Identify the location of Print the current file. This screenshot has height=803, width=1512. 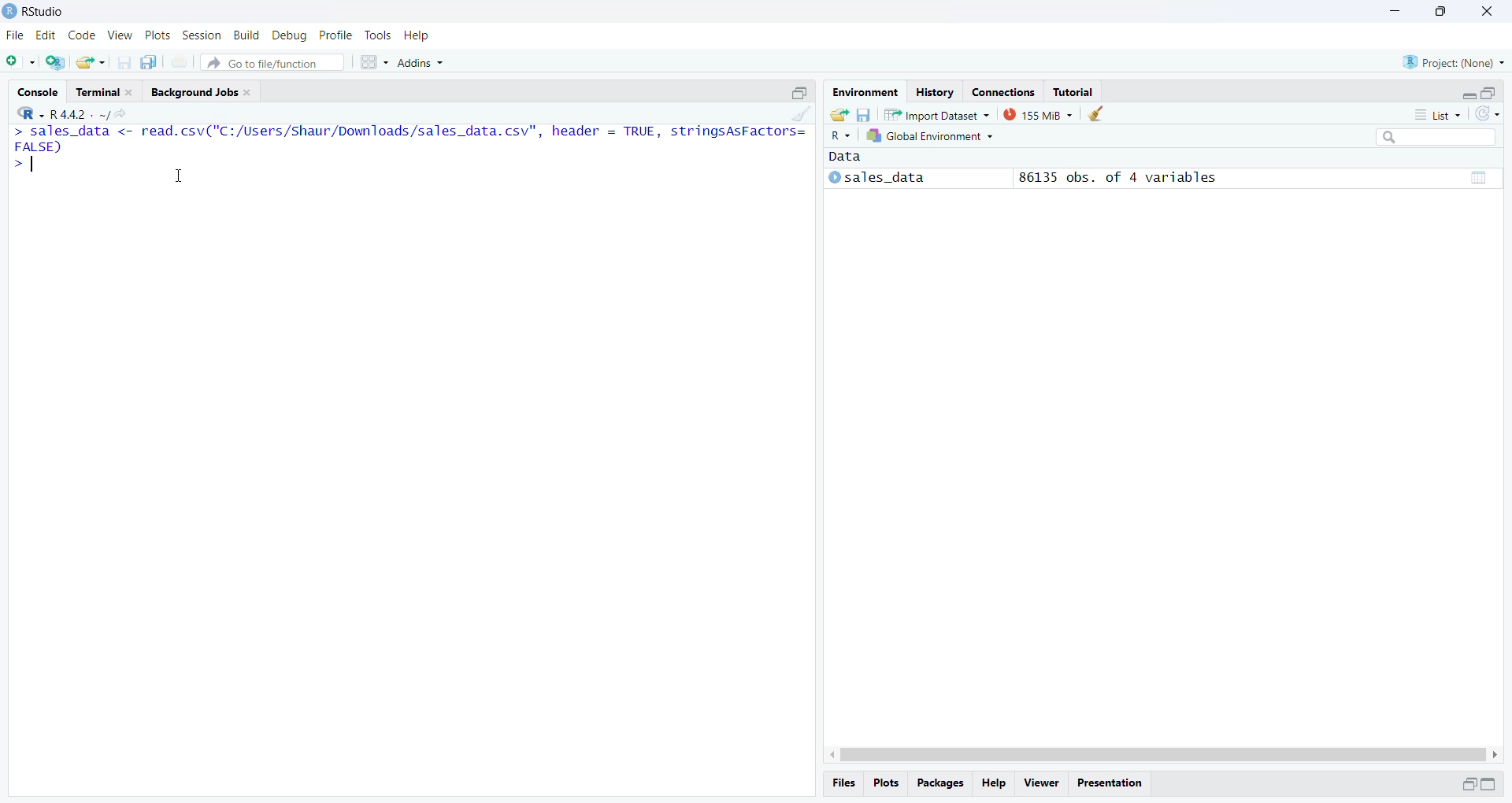
(178, 64).